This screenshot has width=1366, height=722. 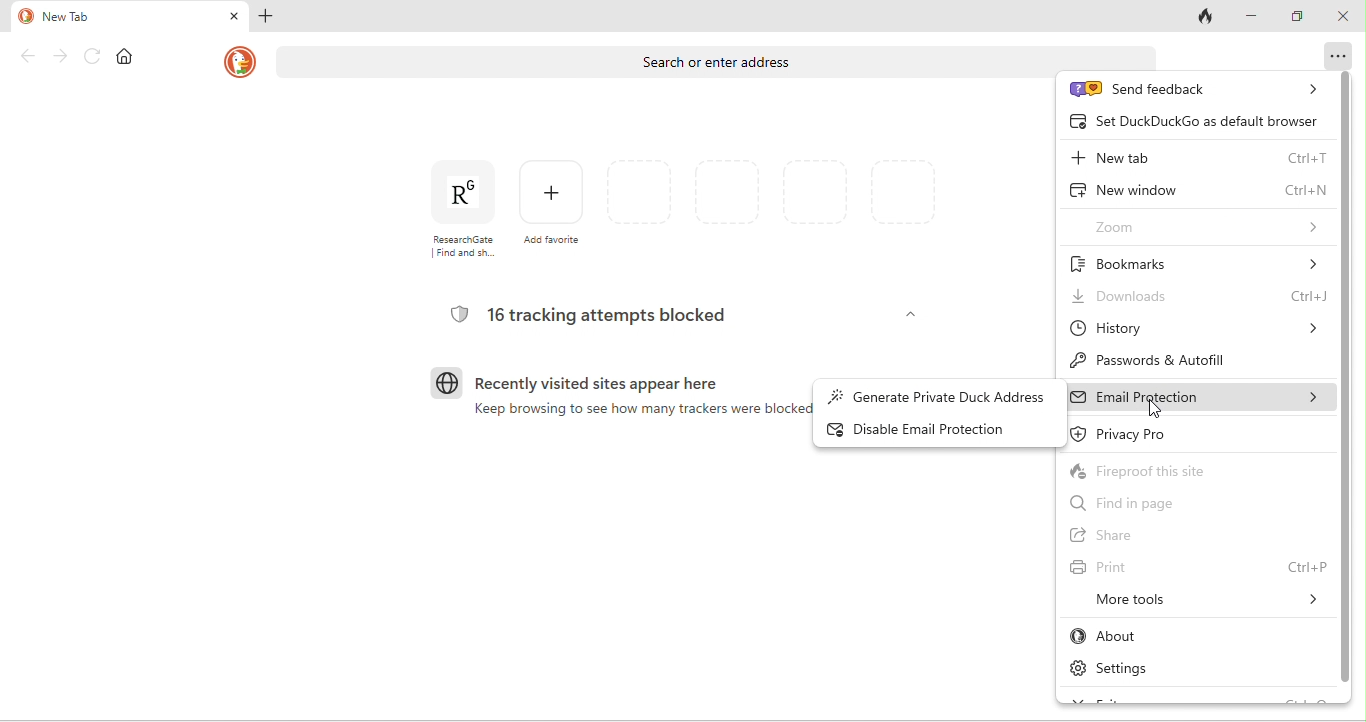 I want to click on hide, so click(x=908, y=315).